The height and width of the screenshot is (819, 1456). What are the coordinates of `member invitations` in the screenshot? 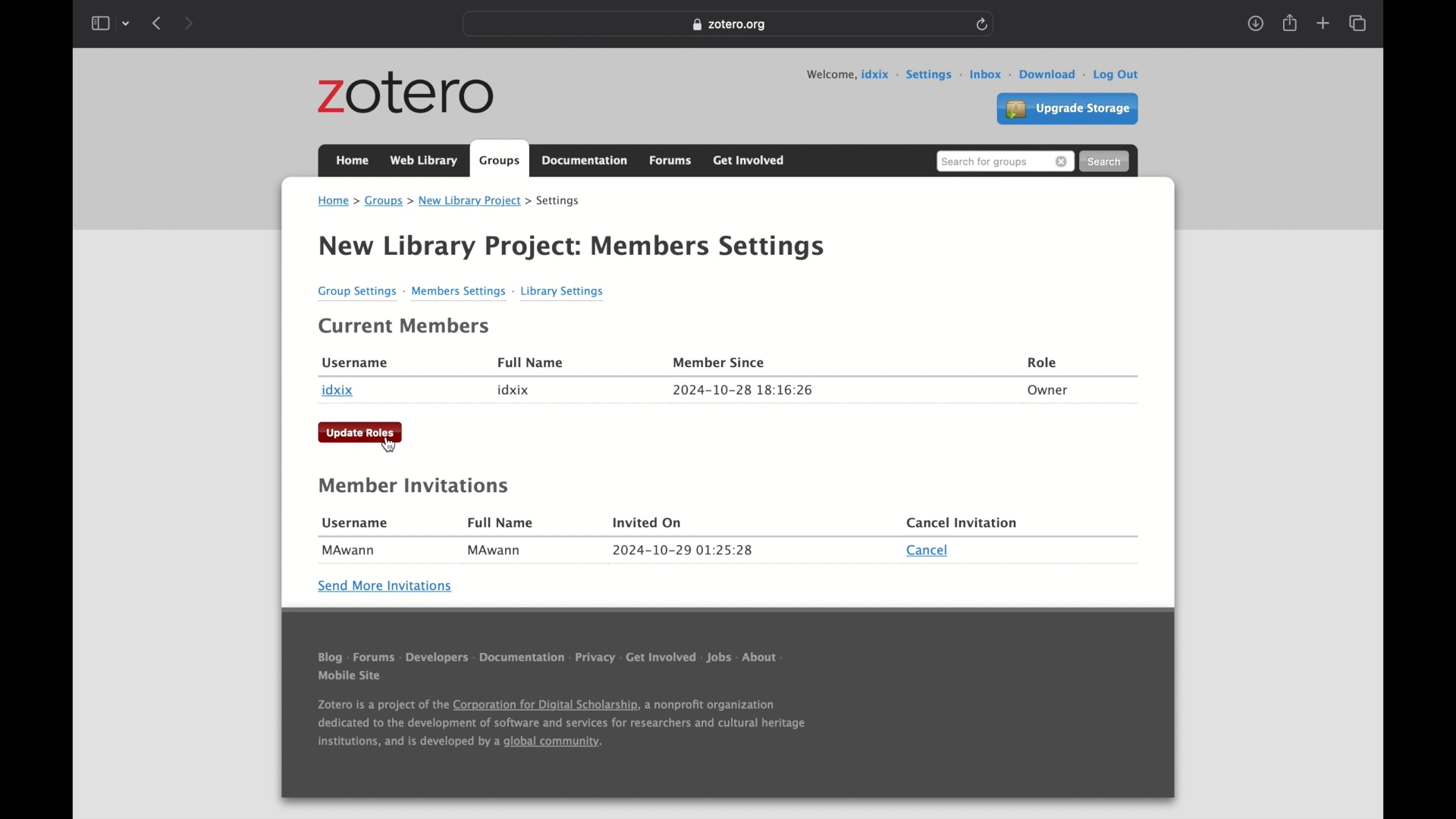 It's located at (415, 487).